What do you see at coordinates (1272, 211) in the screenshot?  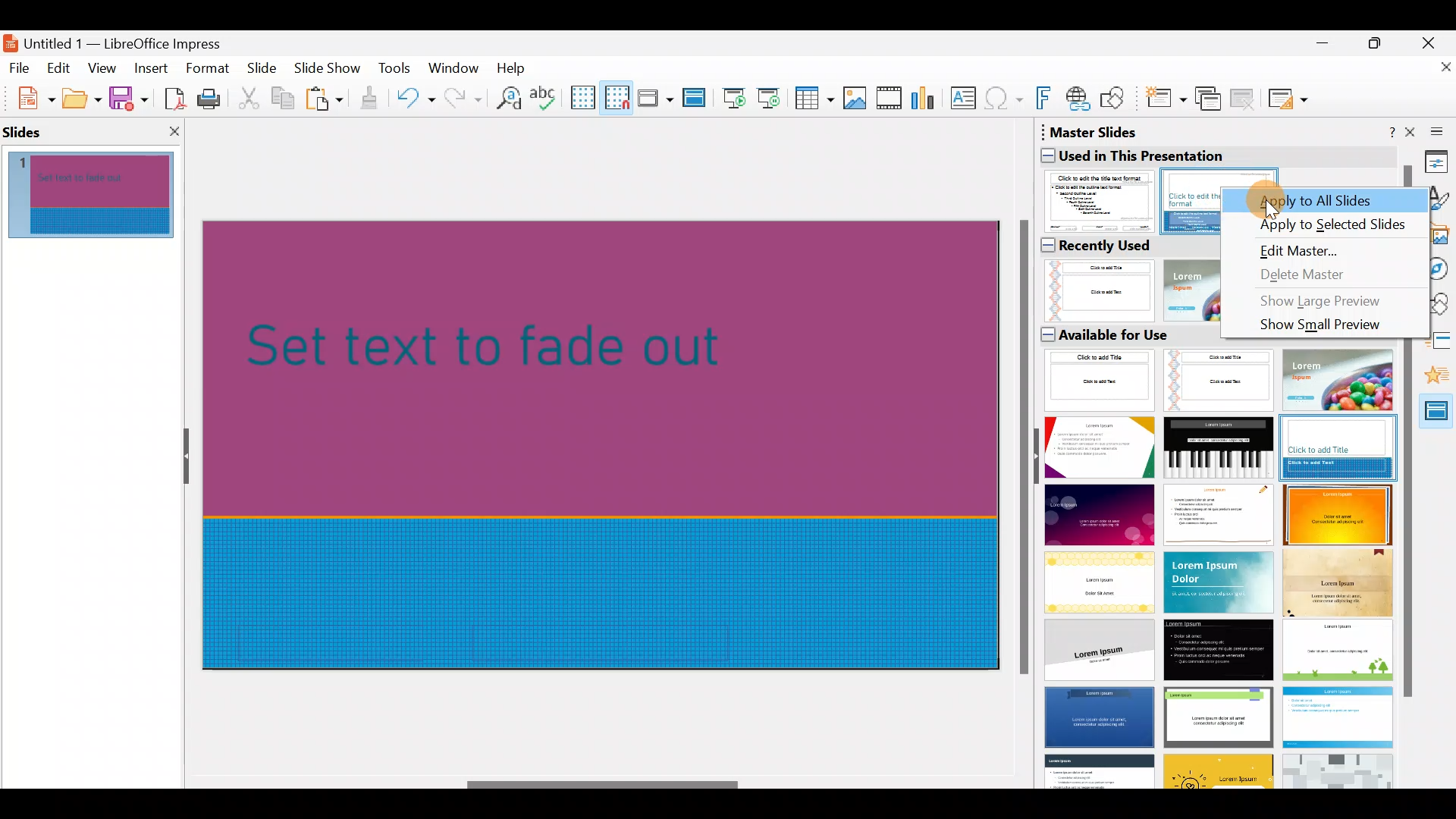 I see `Cursor` at bounding box center [1272, 211].